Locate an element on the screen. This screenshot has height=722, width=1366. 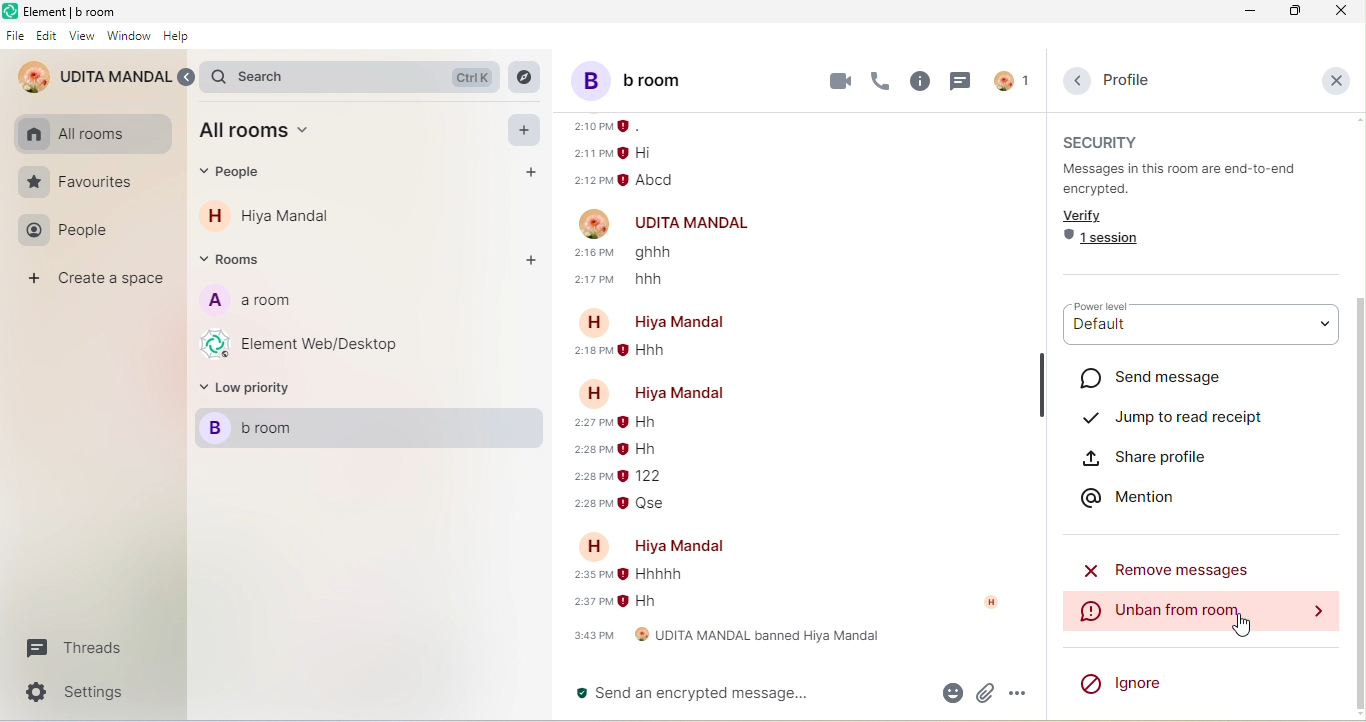
add  is located at coordinates (527, 130).